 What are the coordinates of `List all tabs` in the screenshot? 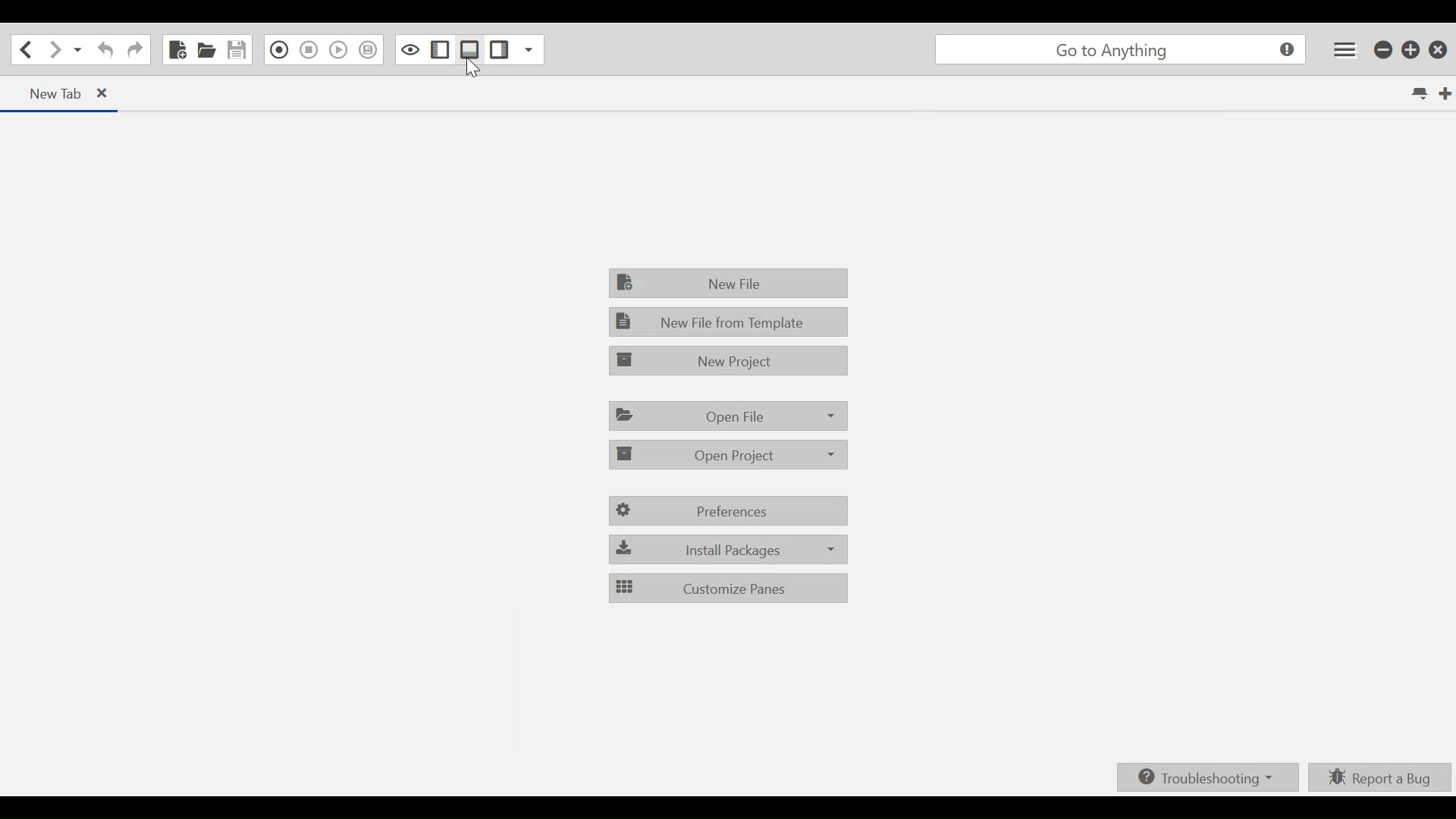 It's located at (1418, 94).